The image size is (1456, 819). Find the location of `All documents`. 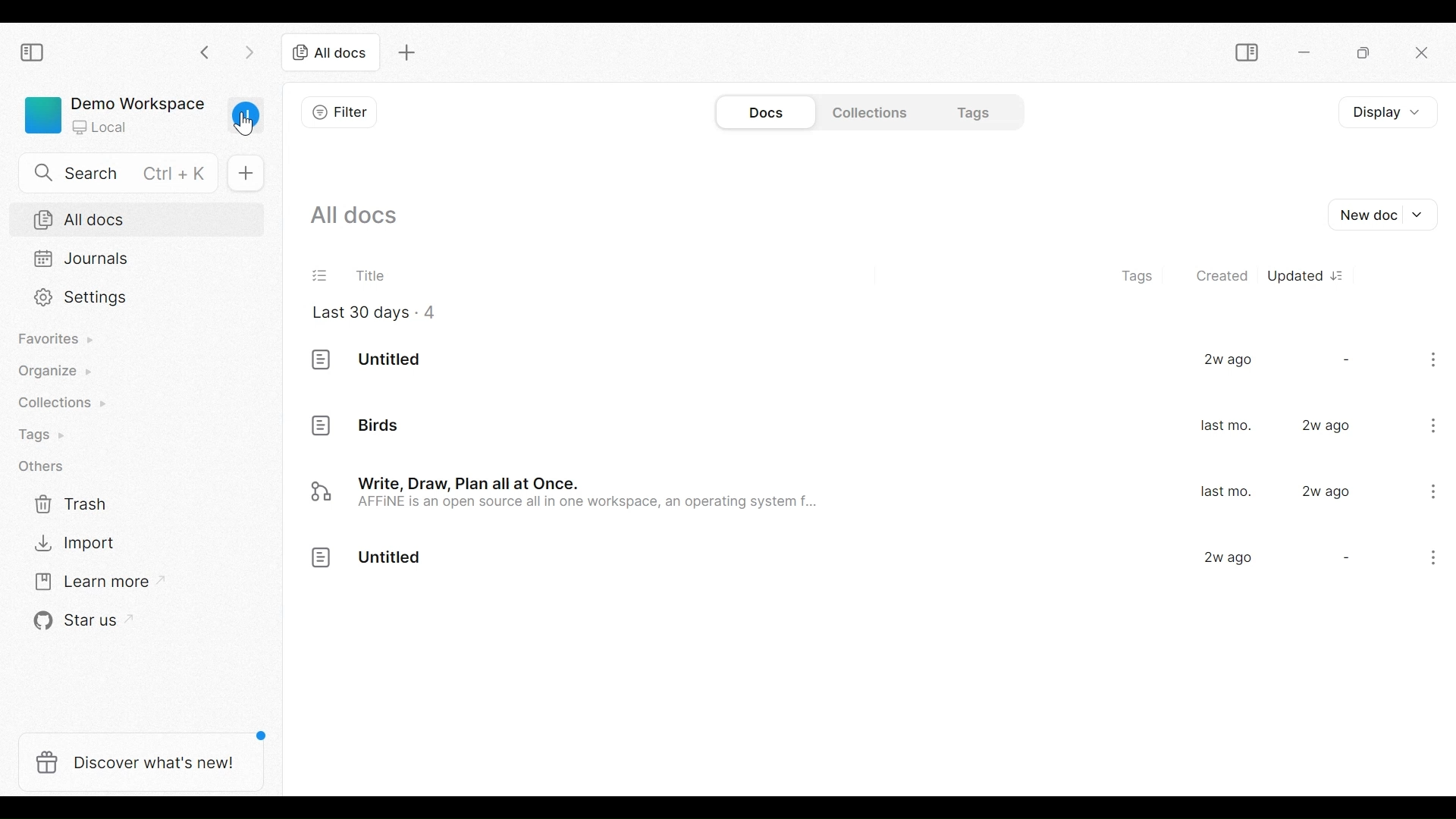

All documents is located at coordinates (354, 216).